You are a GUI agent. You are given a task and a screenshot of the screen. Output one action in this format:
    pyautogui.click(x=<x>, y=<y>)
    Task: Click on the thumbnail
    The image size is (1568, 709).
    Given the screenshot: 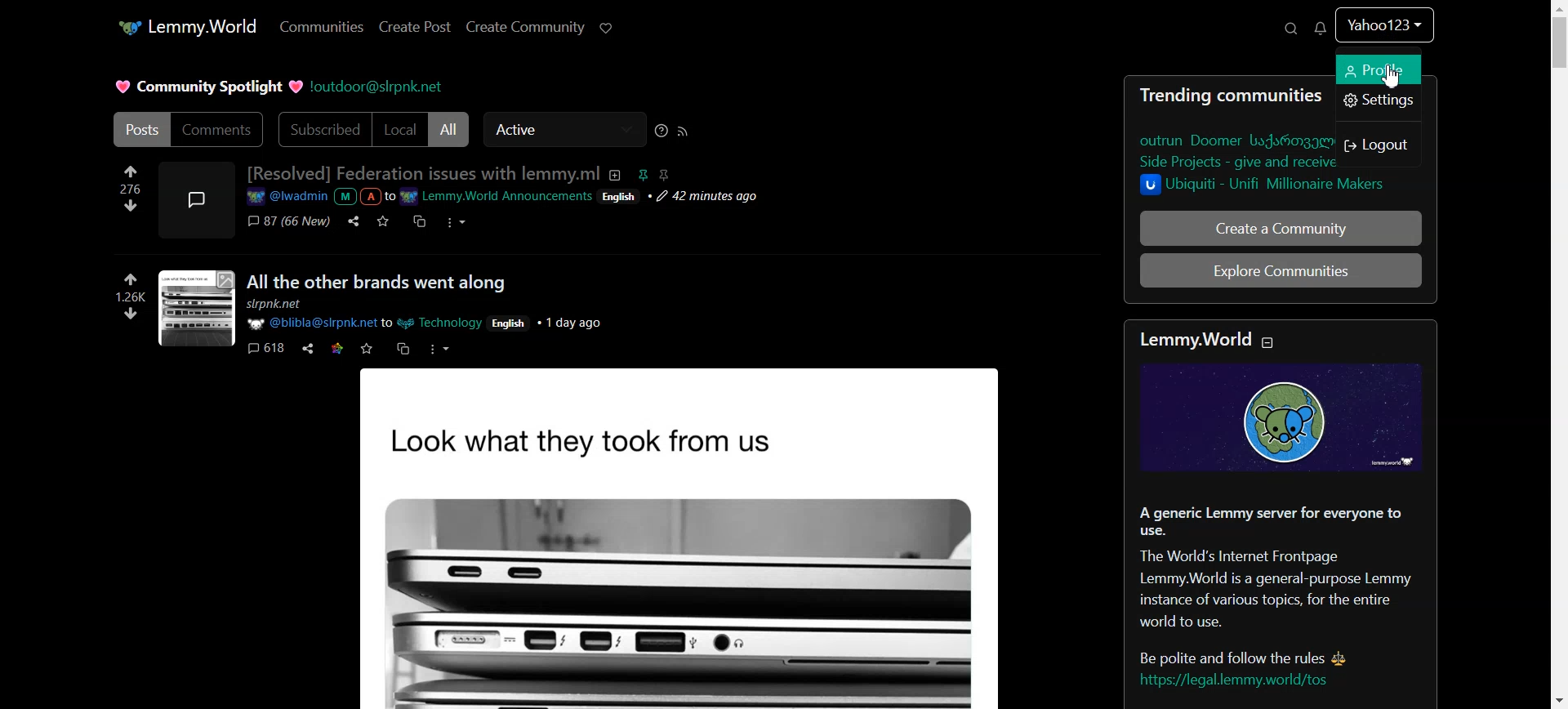 What is the action you would take?
    pyautogui.click(x=196, y=198)
    